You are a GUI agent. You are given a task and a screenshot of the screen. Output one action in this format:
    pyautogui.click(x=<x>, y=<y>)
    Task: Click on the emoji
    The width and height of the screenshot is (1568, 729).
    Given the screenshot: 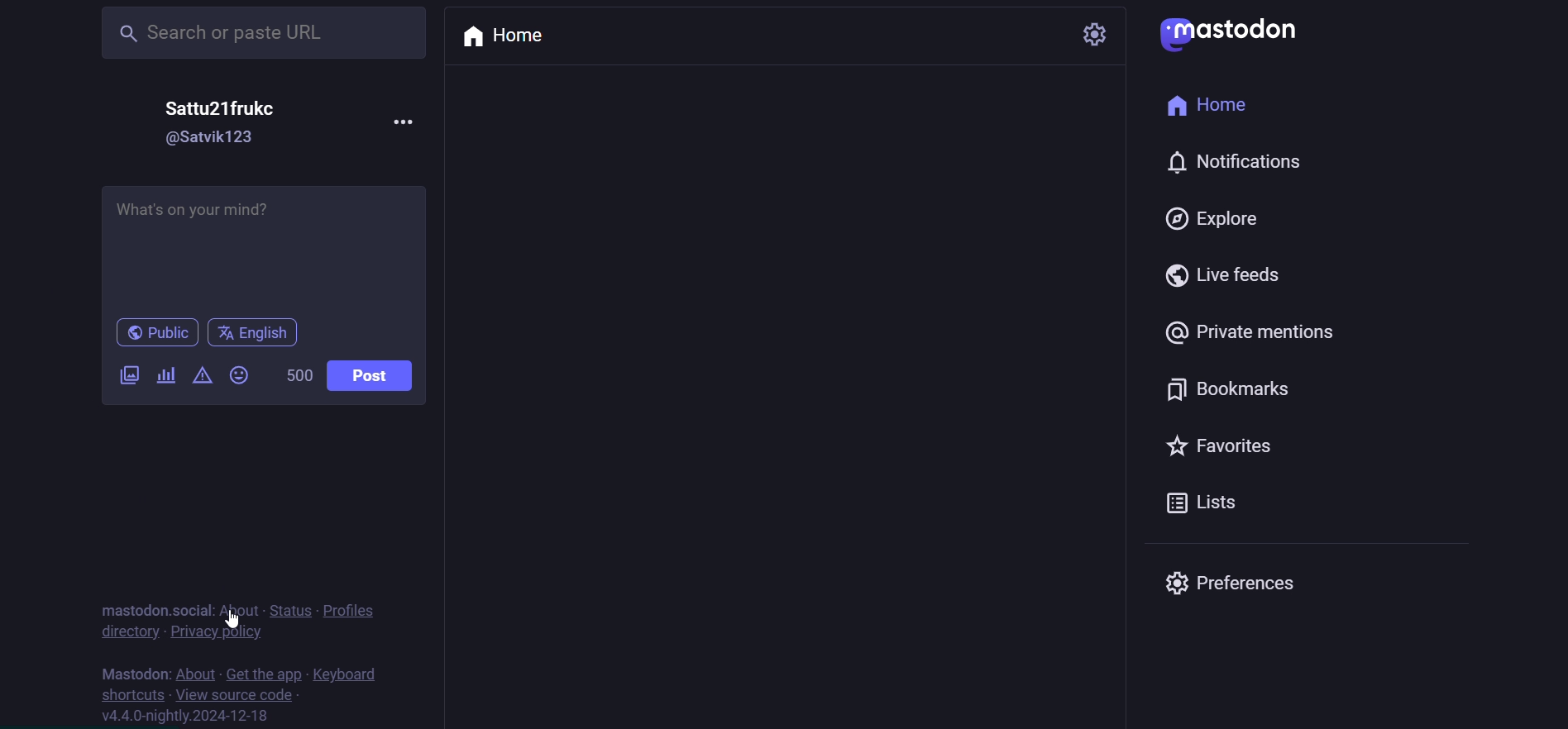 What is the action you would take?
    pyautogui.click(x=242, y=374)
    